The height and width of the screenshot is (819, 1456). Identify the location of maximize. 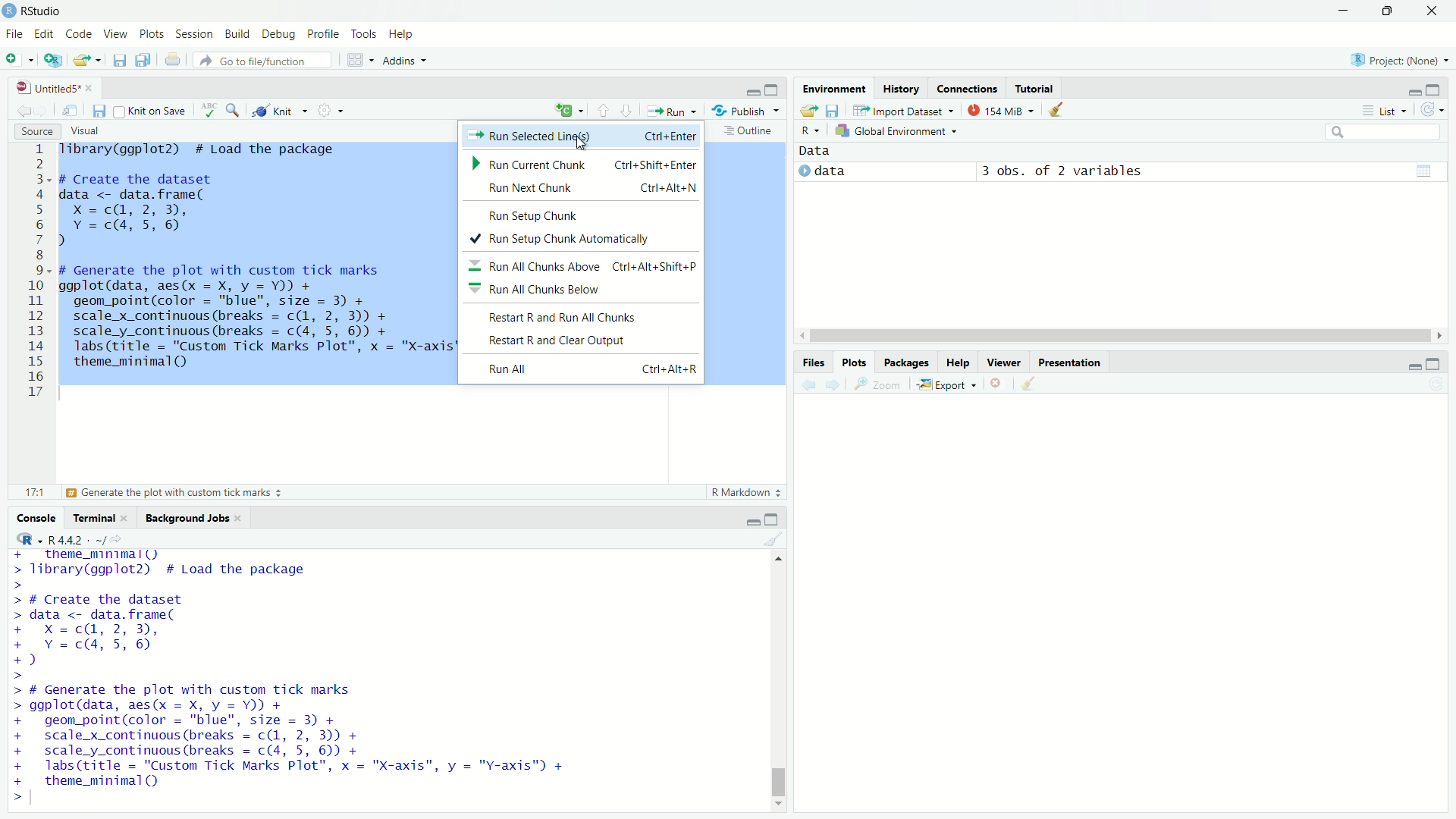
(773, 89).